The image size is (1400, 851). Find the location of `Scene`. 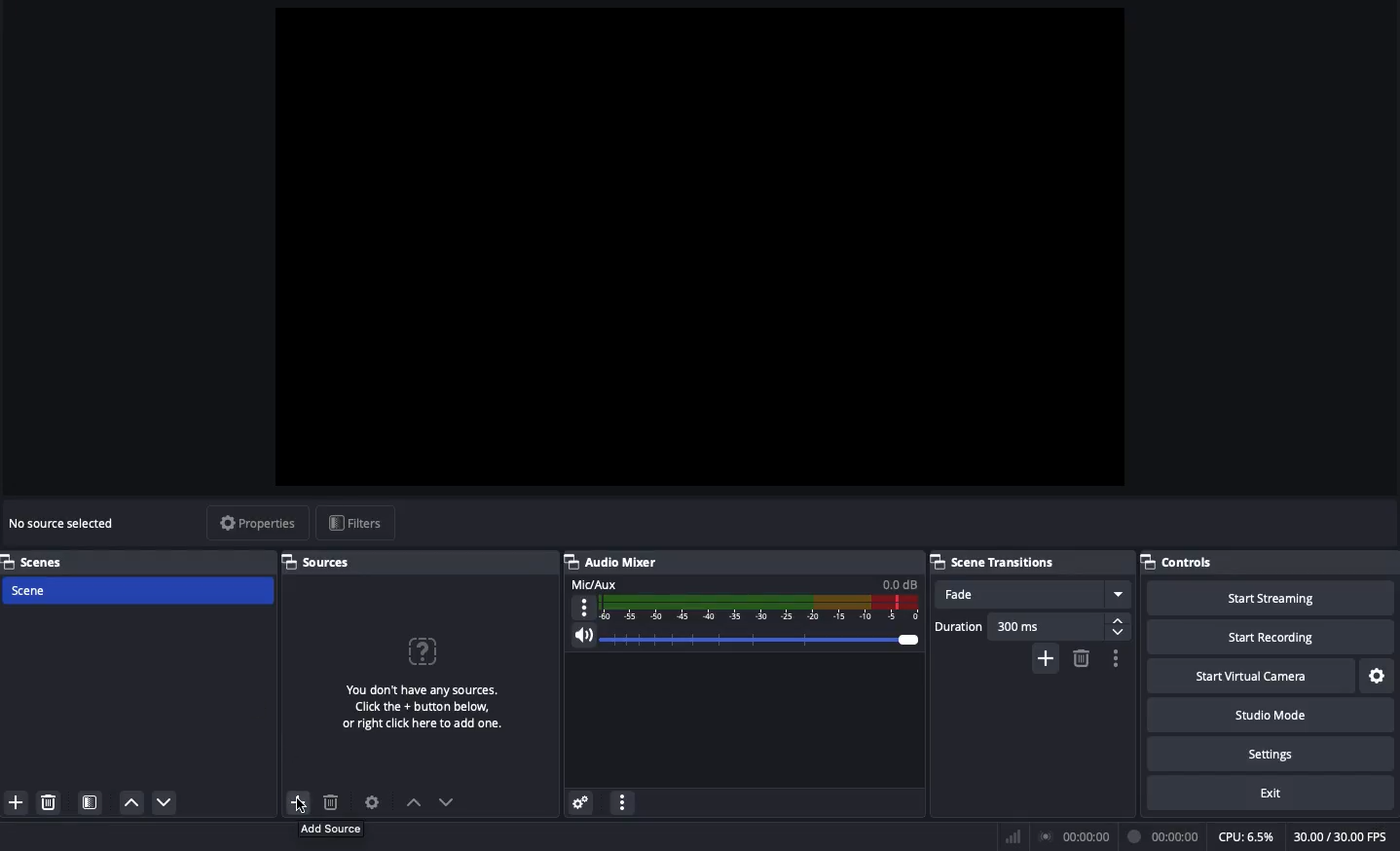

Scene is located at coordinates (137, 591).